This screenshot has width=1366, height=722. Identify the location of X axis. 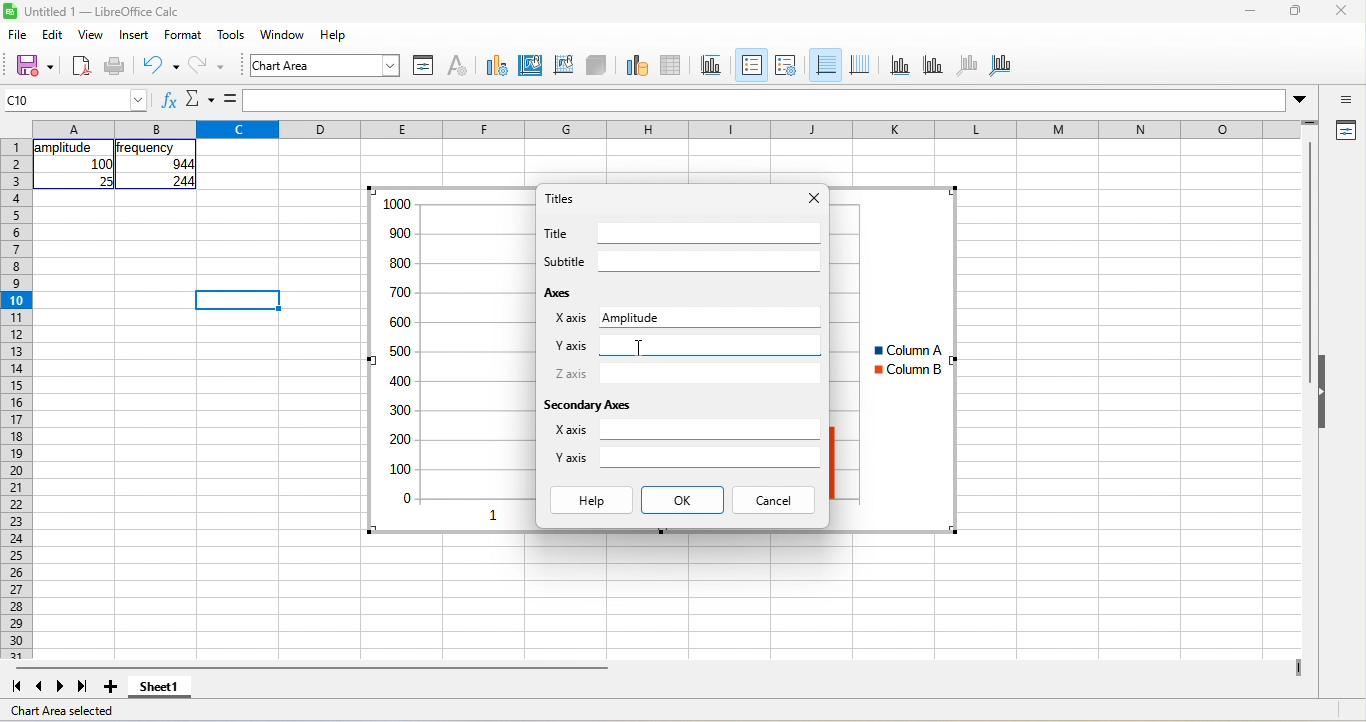
(570, 429).